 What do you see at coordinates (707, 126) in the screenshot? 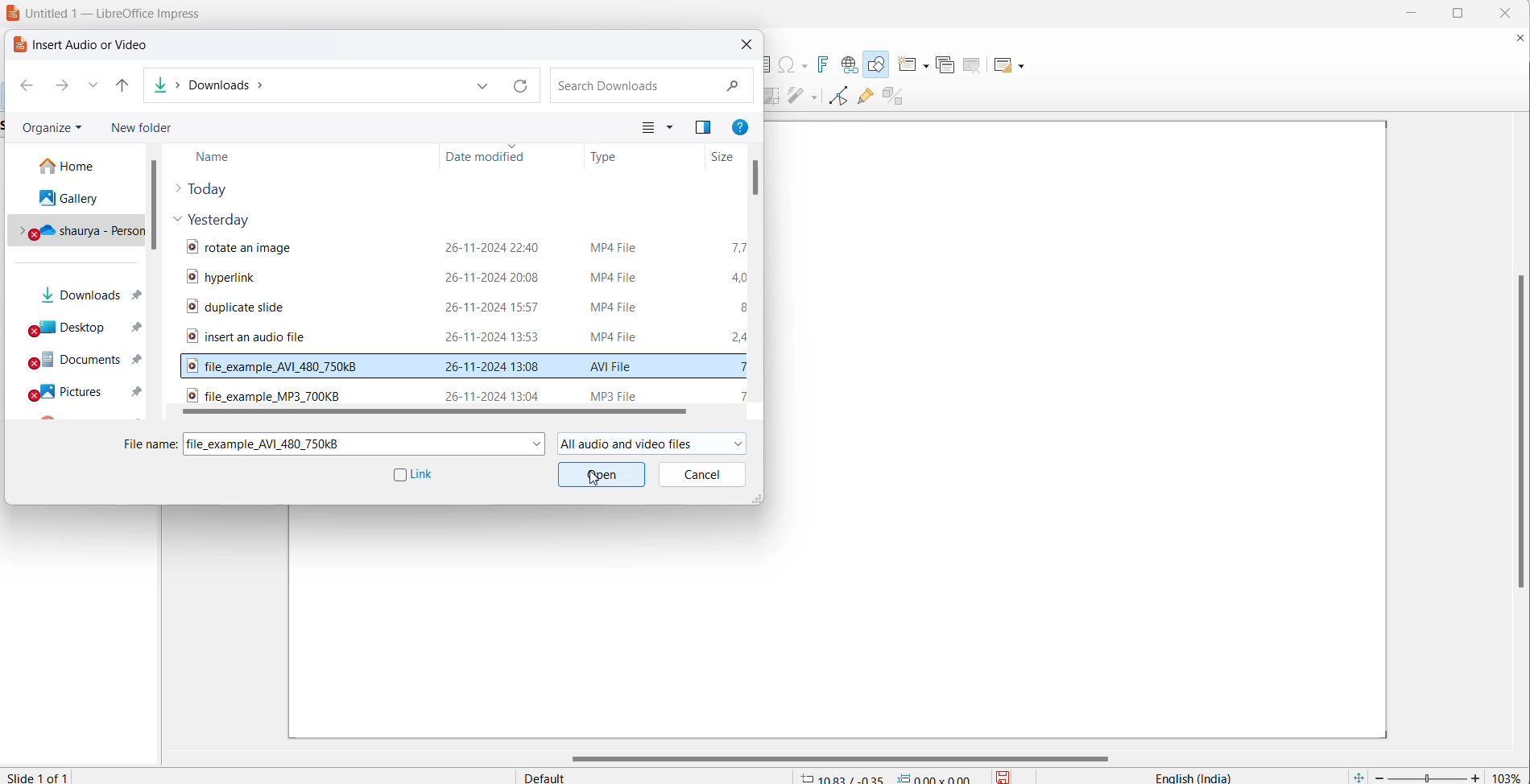
I see `previous pane` at bounding box center [707, 126].